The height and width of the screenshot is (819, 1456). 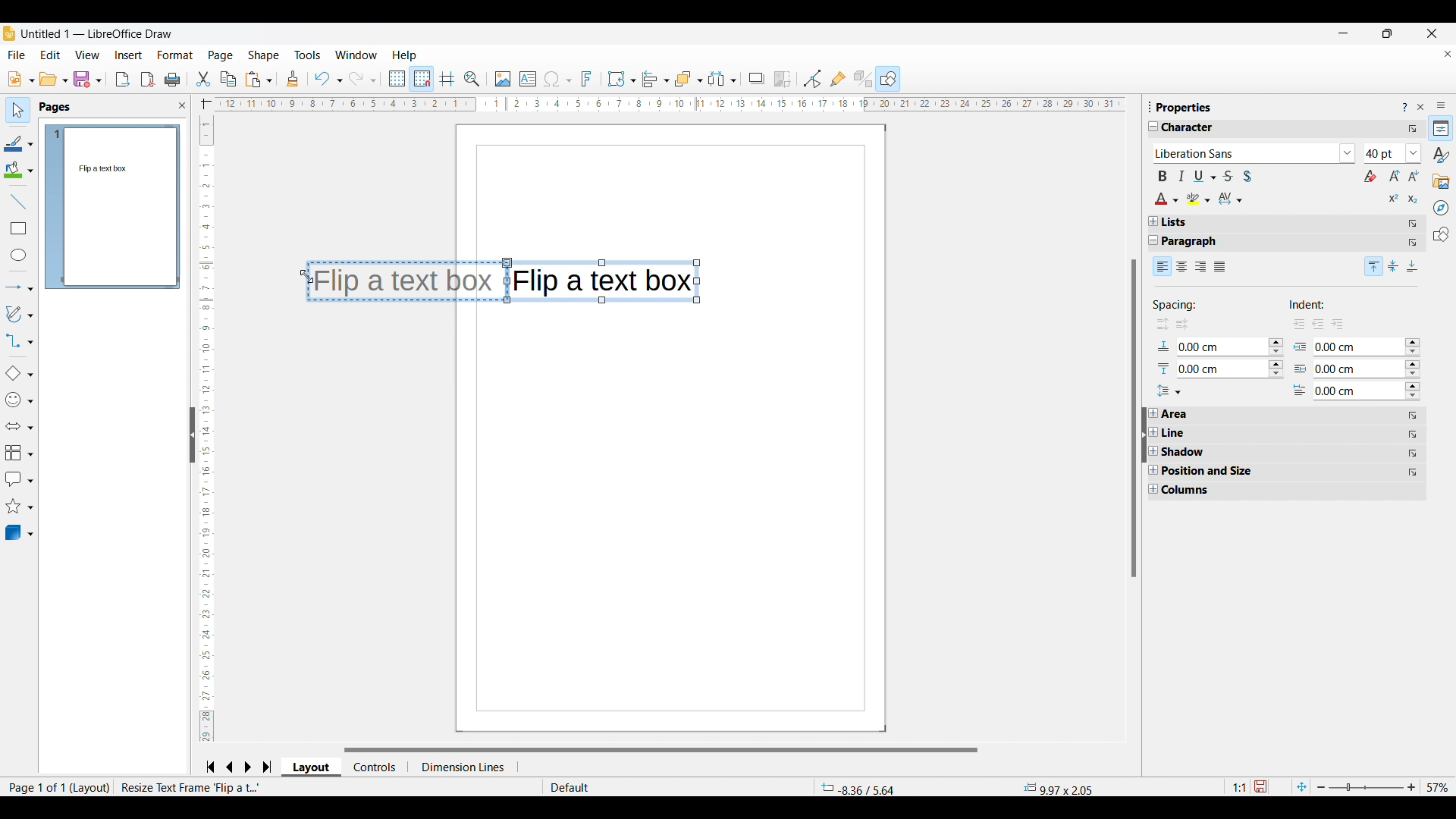 I want to click on List character size options, so click(x=1414, y=153).